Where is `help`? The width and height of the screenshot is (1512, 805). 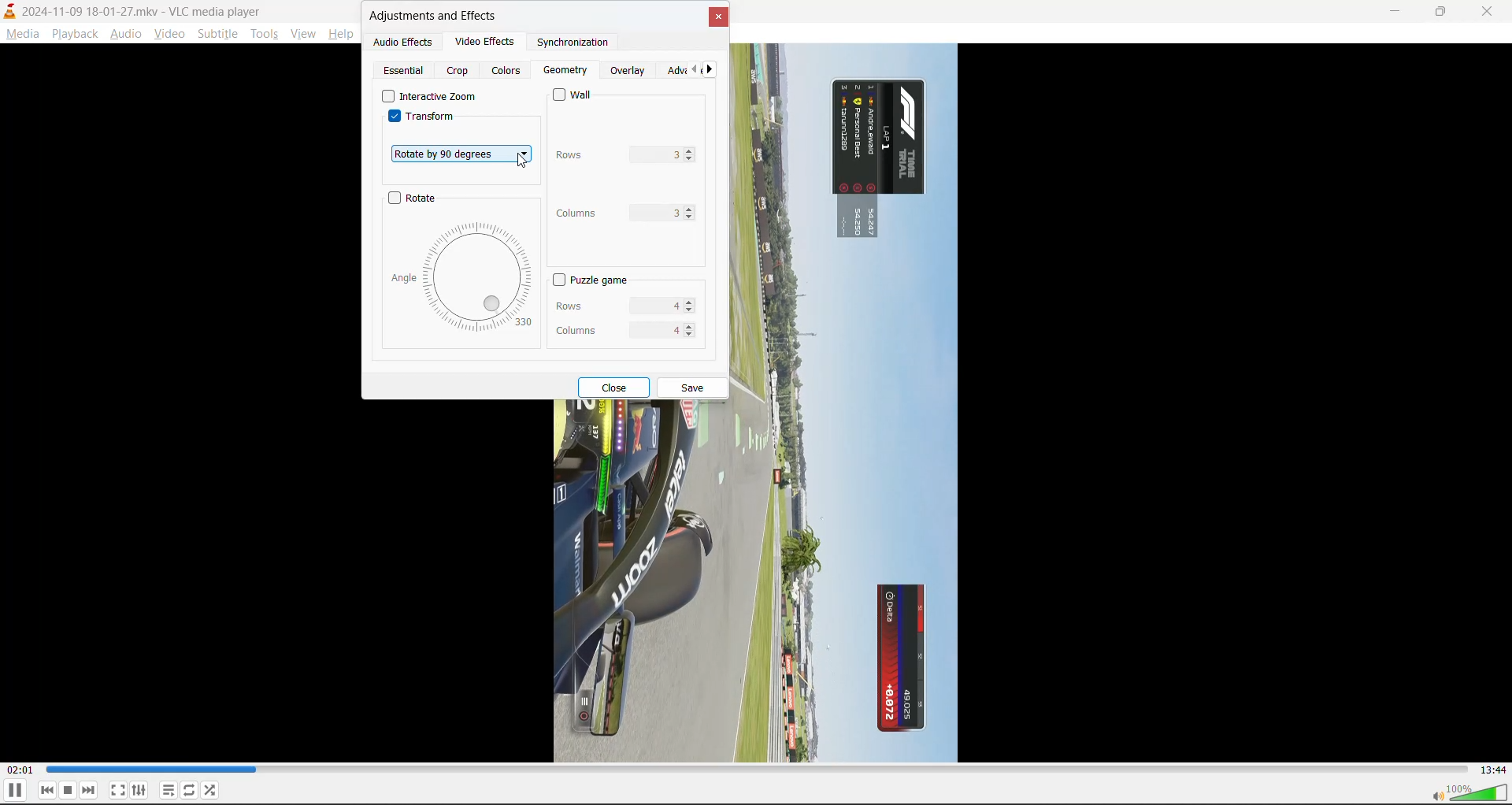 help is located at coordinates (340, 37).